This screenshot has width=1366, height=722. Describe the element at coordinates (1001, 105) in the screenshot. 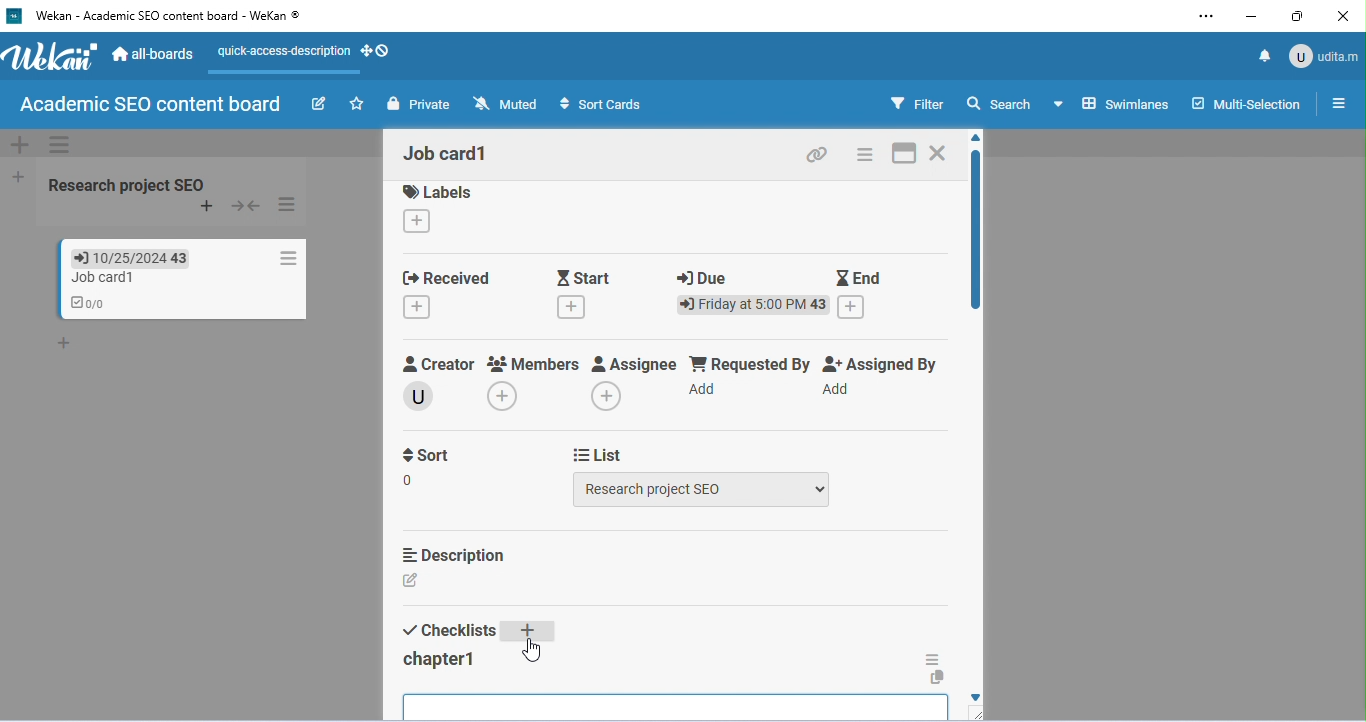

I see `search` at that location.